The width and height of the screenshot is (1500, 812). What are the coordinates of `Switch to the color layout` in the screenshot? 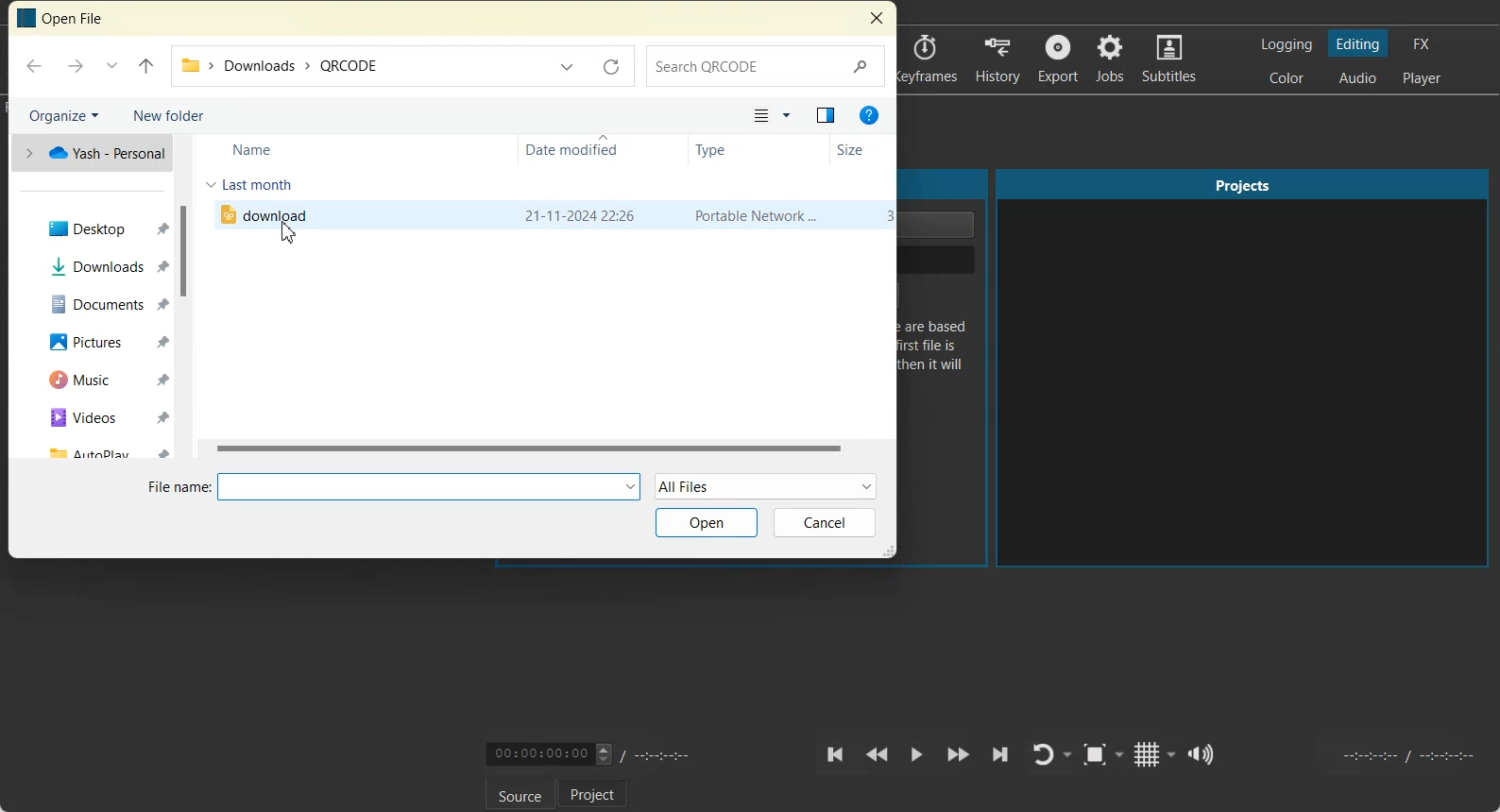 It's located at (1288, 77).